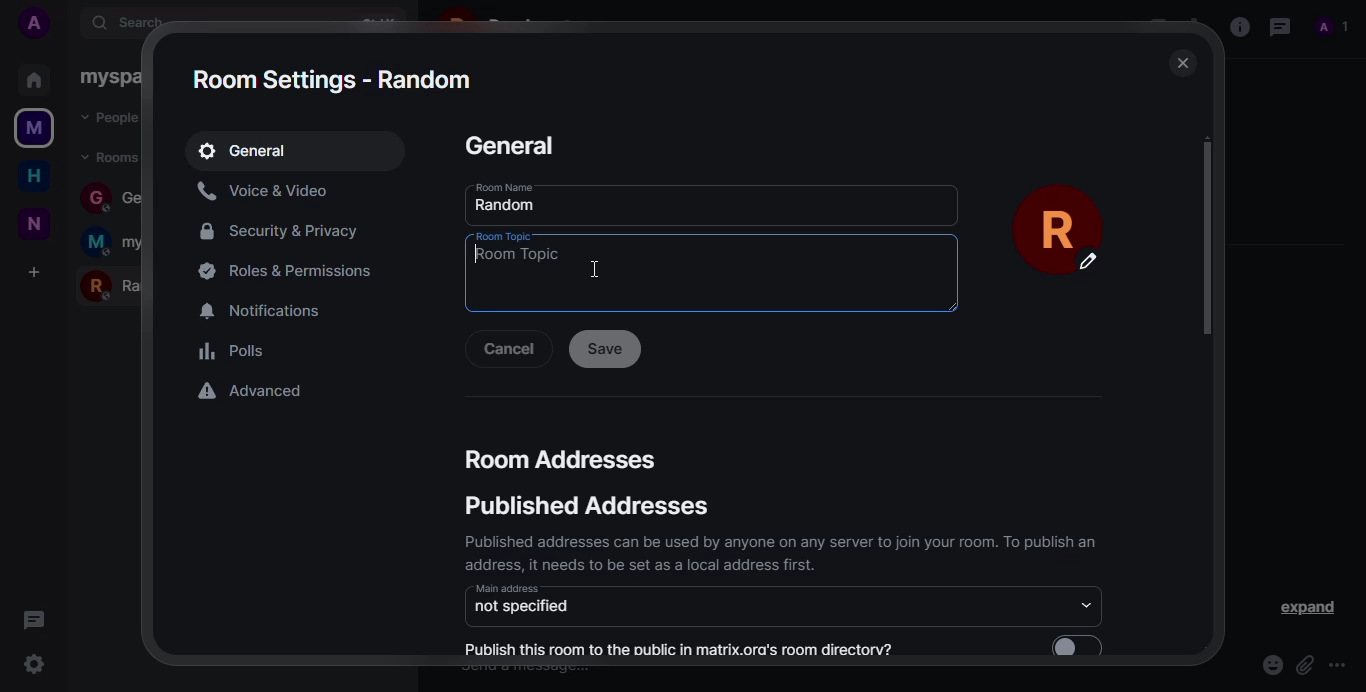 Image resolution: width=1366 pixels, height=692 pixels. What do you see at coordinates (1066, 230) in the screenshot?
I see `profile pic` at bounding box center [1066, 230].